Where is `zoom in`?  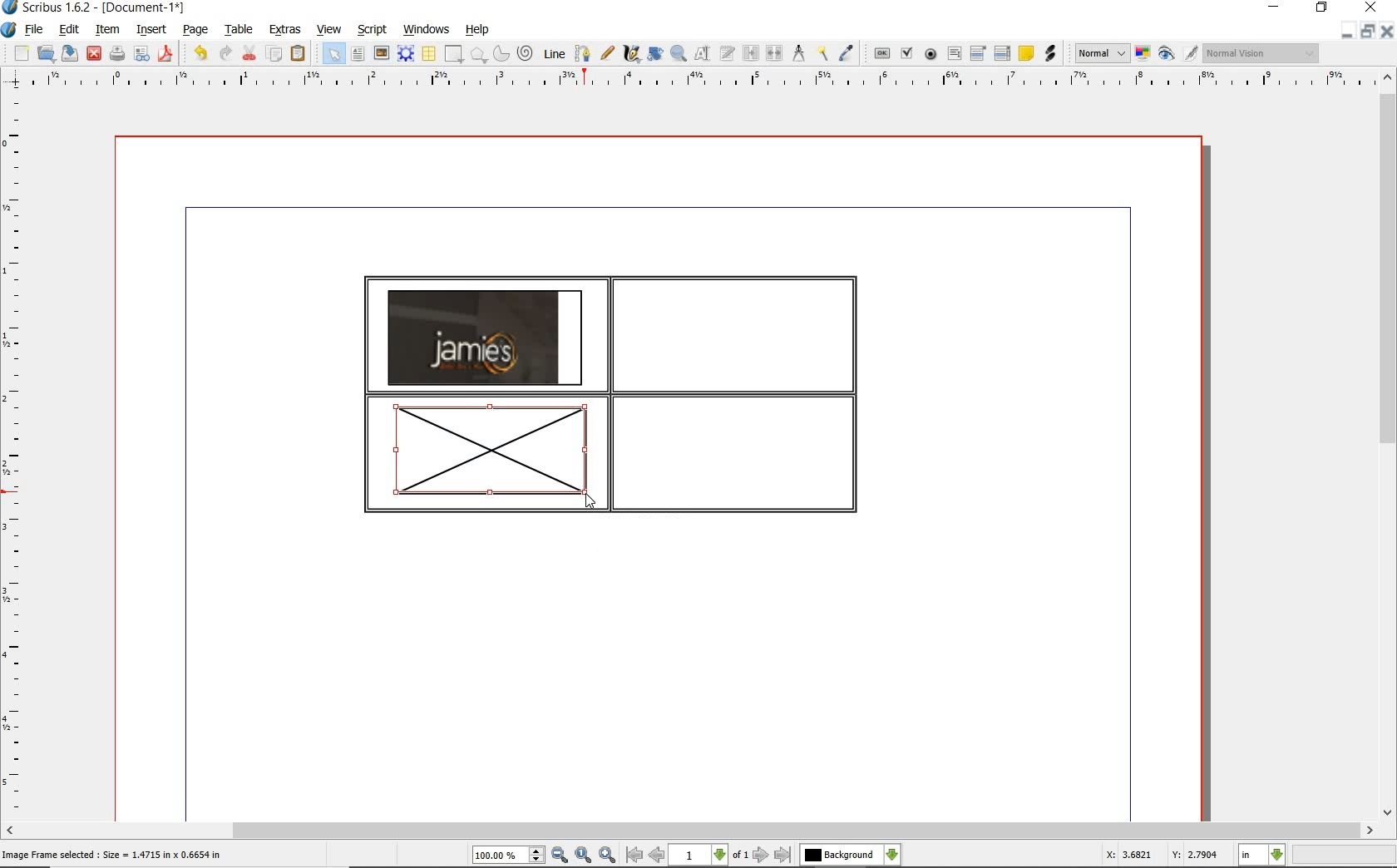
zoom in is located at coordinates (608, 856).